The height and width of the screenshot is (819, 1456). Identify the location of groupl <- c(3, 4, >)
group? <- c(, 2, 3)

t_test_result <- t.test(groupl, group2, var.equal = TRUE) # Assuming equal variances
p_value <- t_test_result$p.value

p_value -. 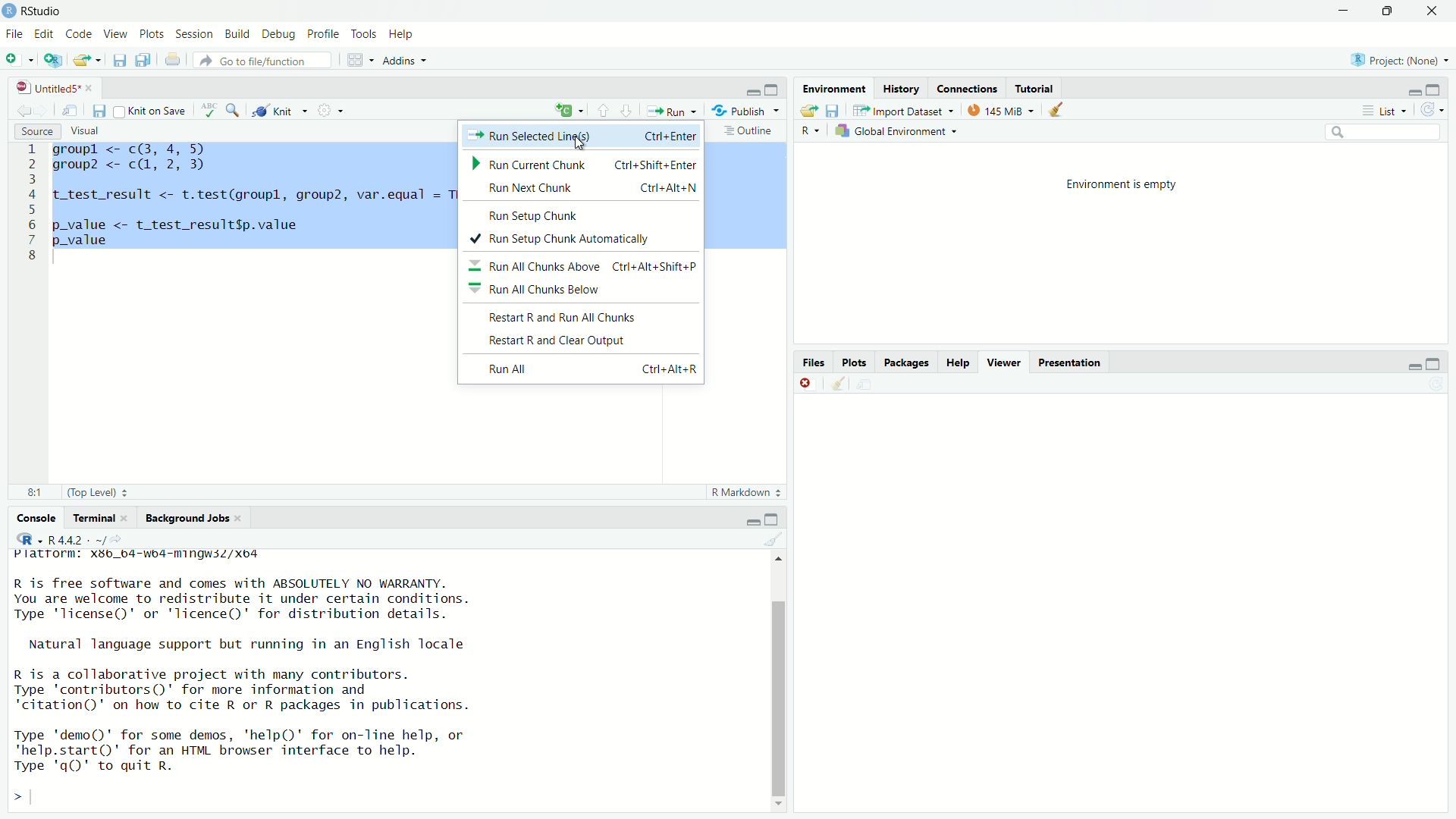
(250, 196).